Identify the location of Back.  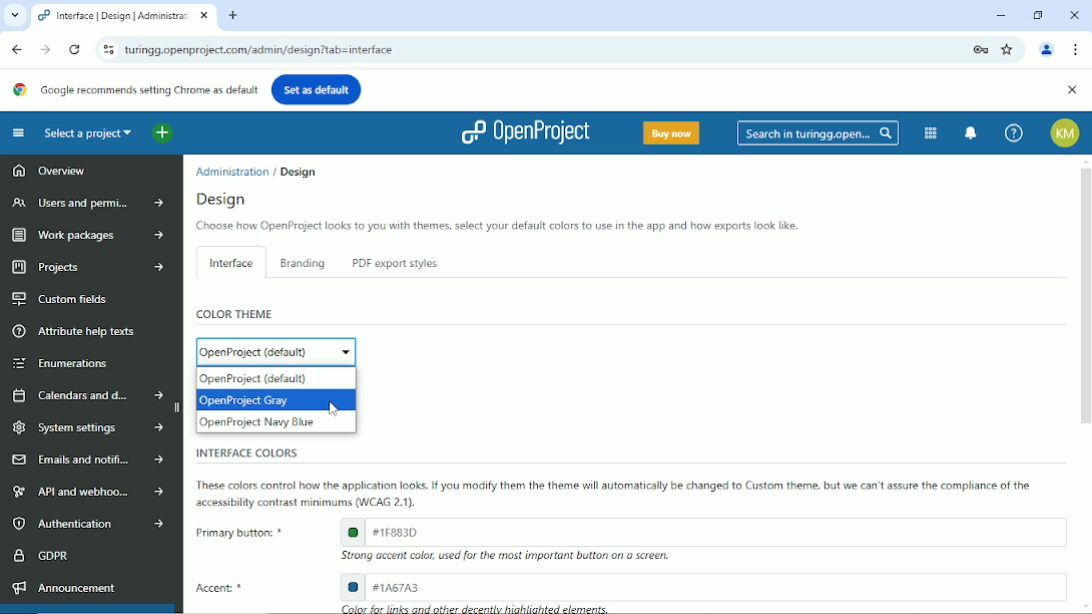
(17, 48).